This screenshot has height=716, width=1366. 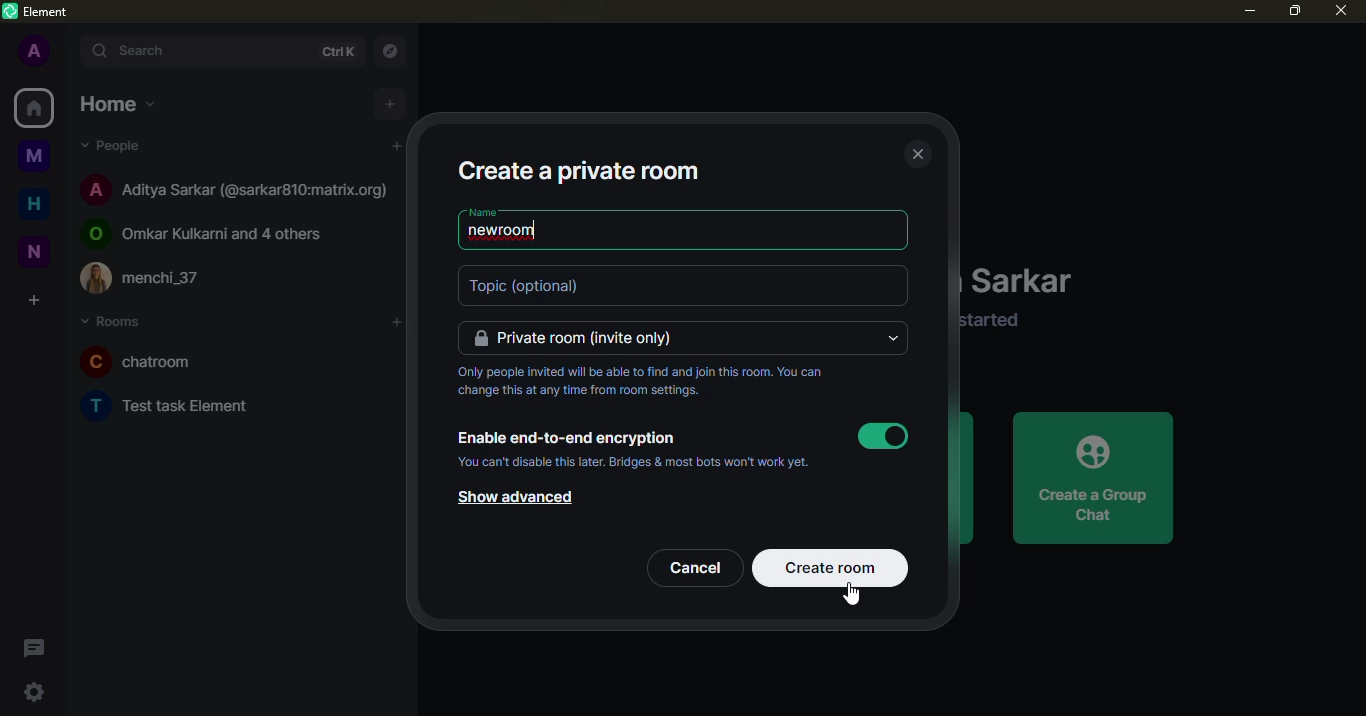 What do you see at coordinates (396, 50) in the screenshot?
I see `navigator` at bounding box center [396, 50].